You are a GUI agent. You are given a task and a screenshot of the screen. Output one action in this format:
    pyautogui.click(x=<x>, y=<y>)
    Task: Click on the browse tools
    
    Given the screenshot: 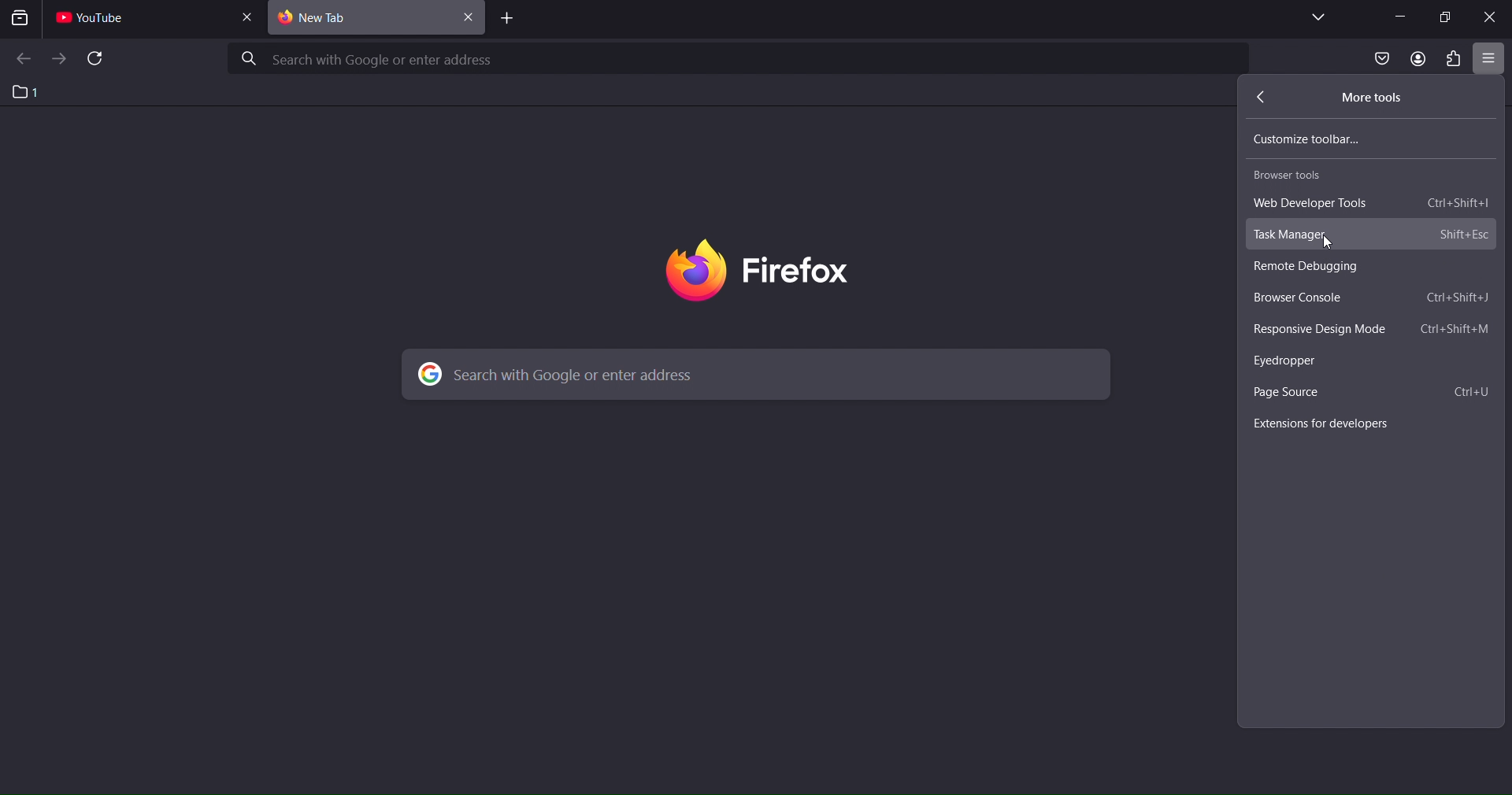 What is the action you would take?
    pyautogui.click(x=1293, y=177)
    